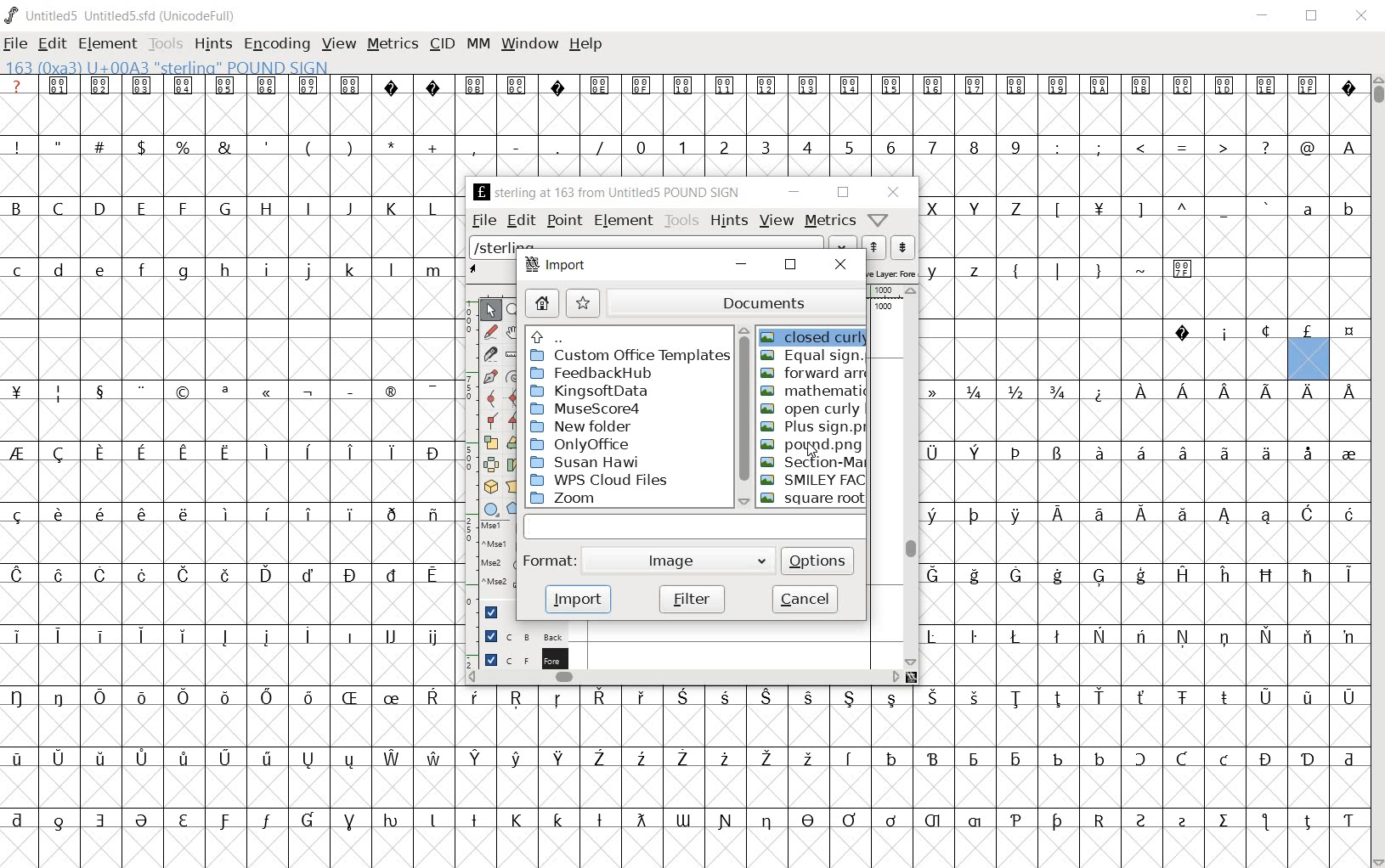  What do you see at coordinates (1096, 454) in the screenshot?
I see `Symbol` at bounding box center [1096, 454].